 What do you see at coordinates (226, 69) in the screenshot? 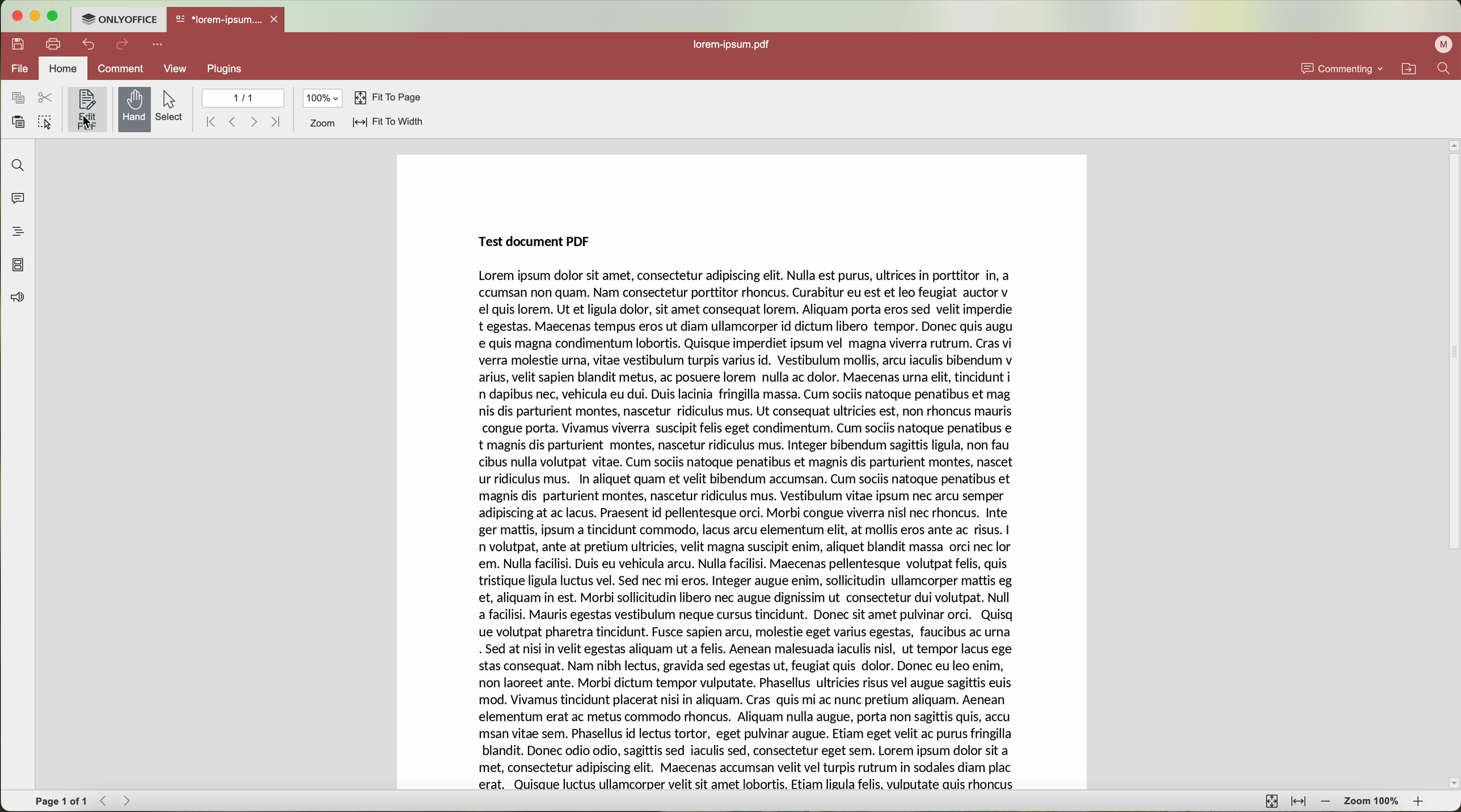
I see `plugins` at bounding box center [226, 69].